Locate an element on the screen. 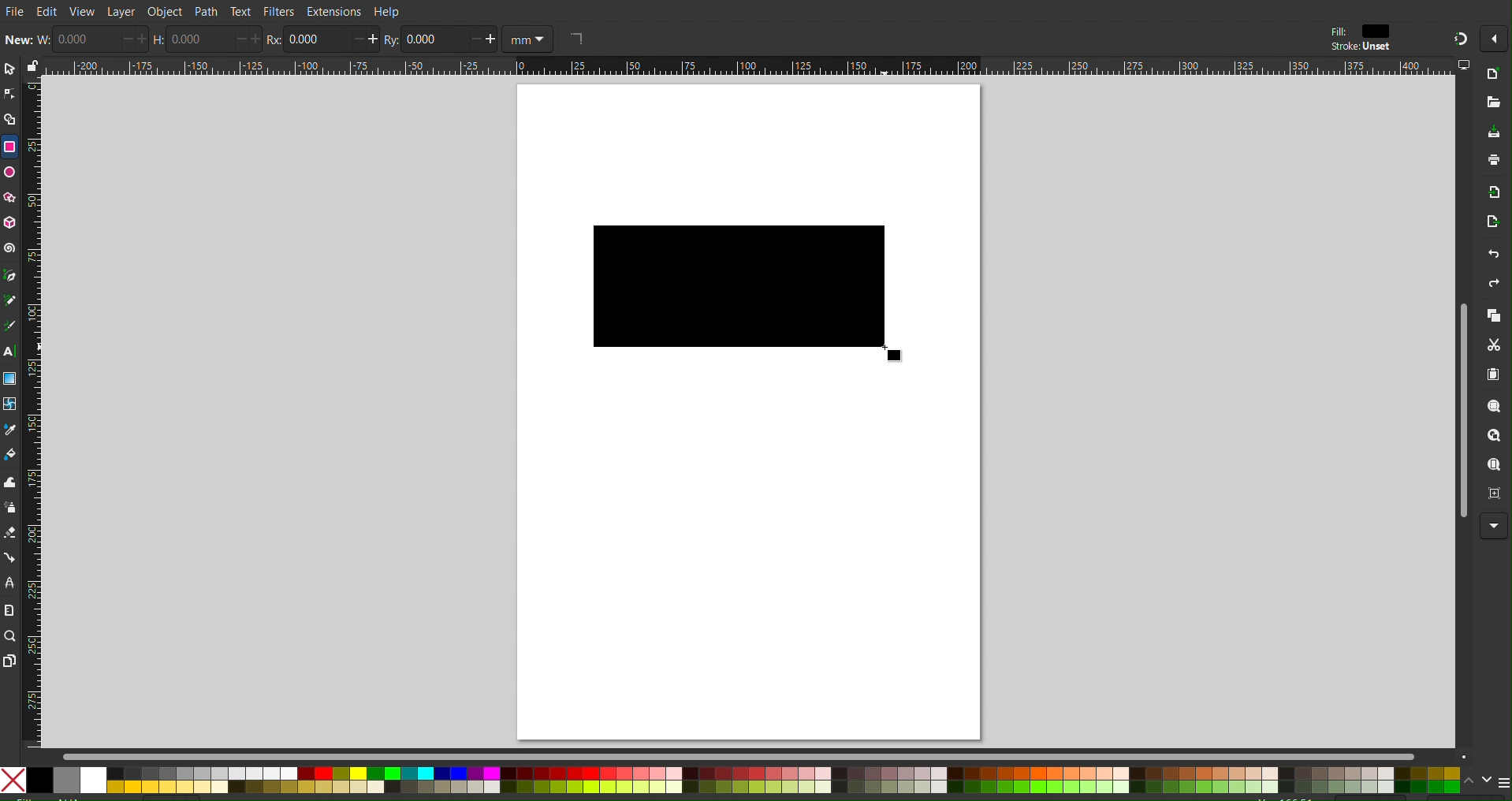 The image size is (1512, 801). Mesh tool is located at coordinates (10, 404).